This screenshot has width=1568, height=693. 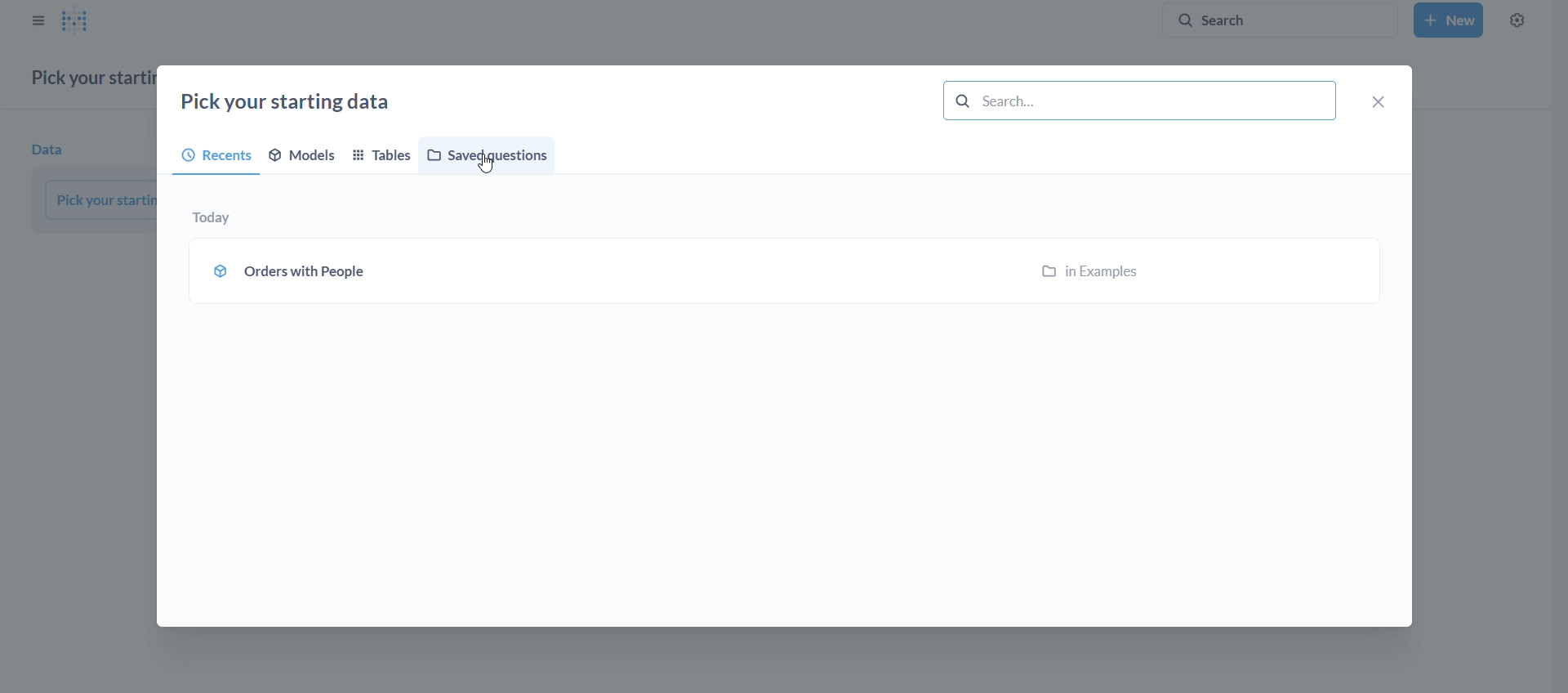 What do you see at coordinates (1379, 103) in the screenshot?
I see `close` at bounding box center [1379, 103].